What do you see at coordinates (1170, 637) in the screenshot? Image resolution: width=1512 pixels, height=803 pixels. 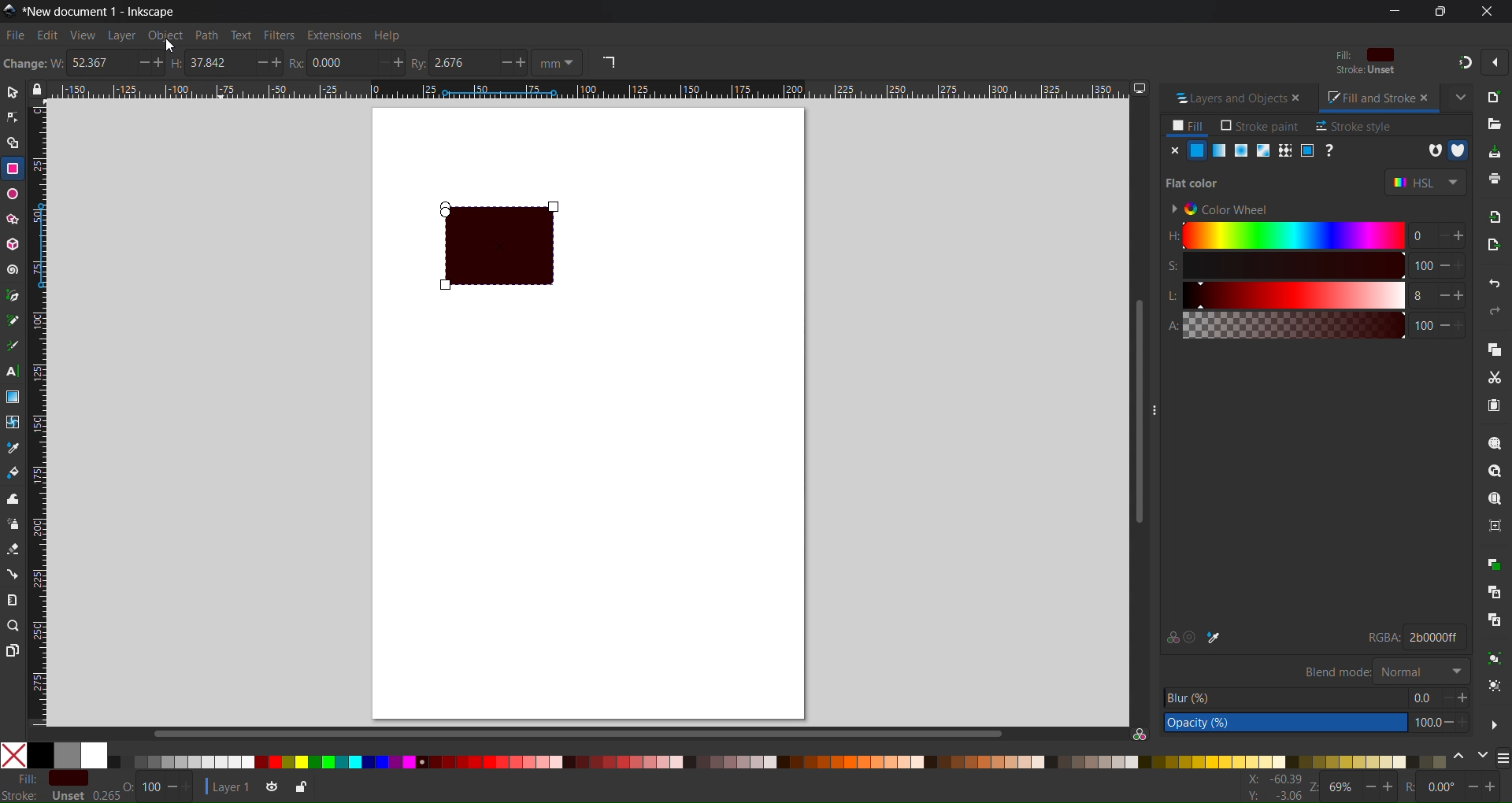 I see `Color managed` at bounding box center [1170, 637].